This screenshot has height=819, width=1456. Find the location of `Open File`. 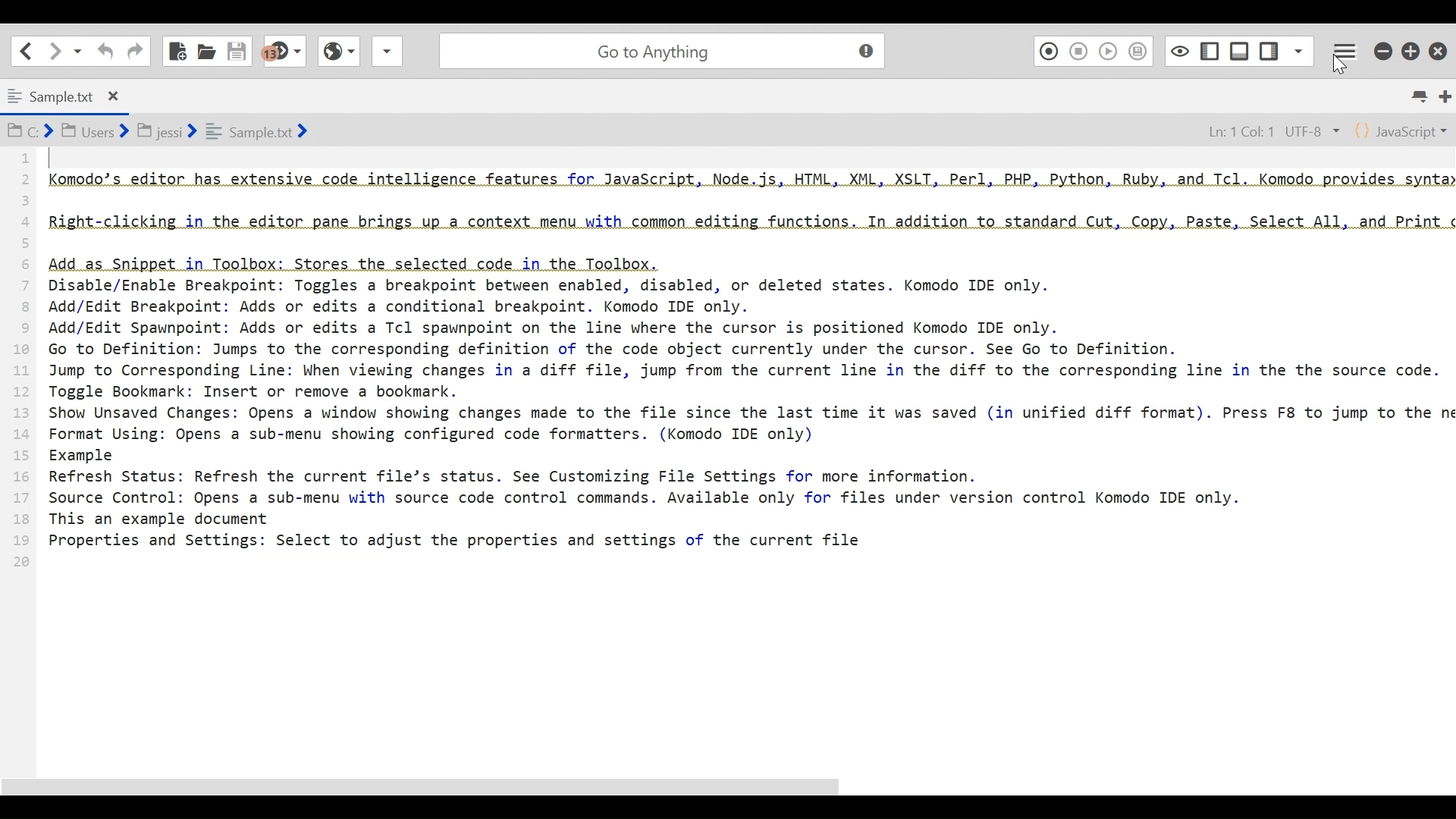

Open File is located at coordinates (206, 49).